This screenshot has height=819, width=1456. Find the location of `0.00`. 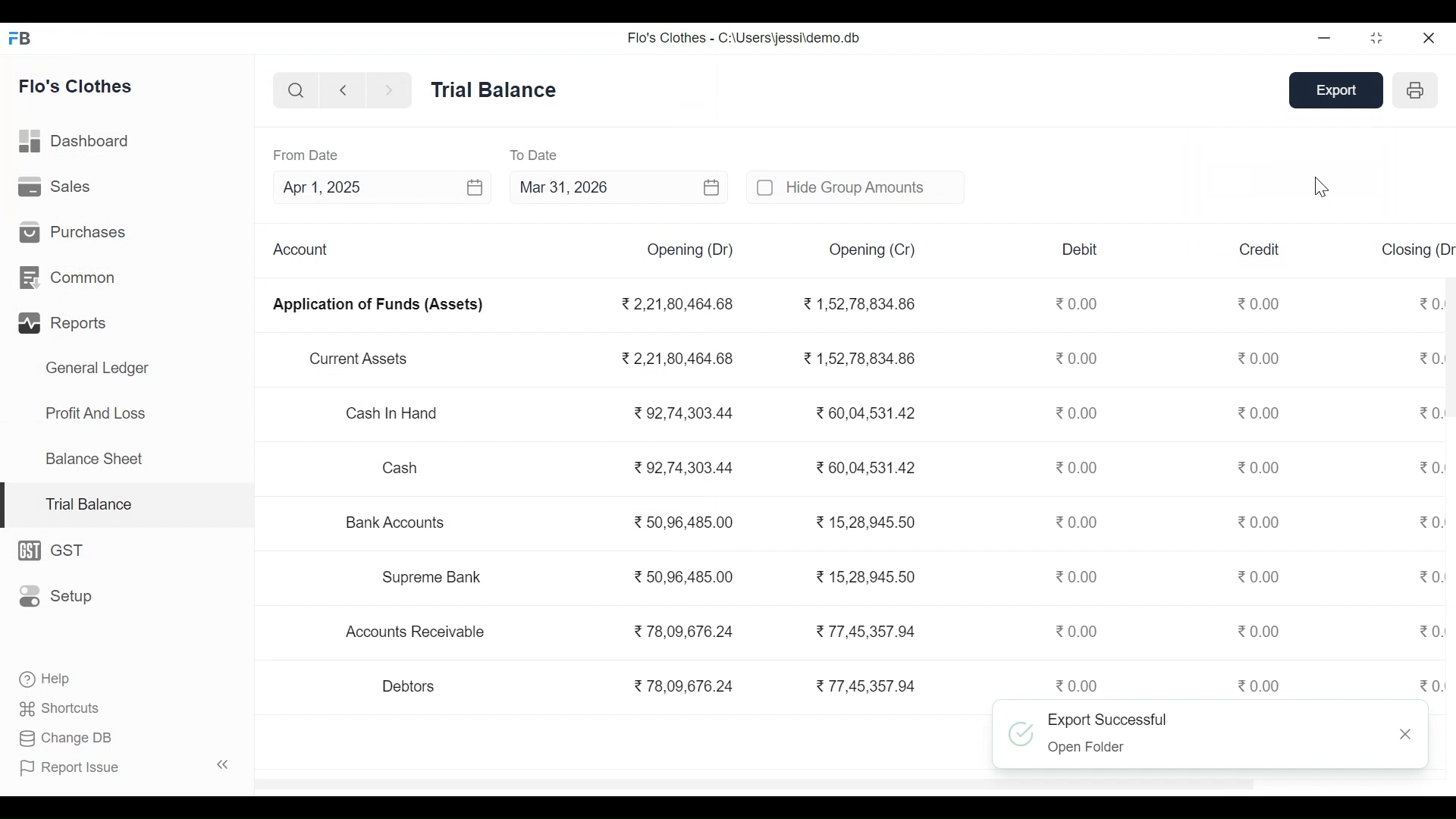

0.00 is located at coordinates (1260, 466).